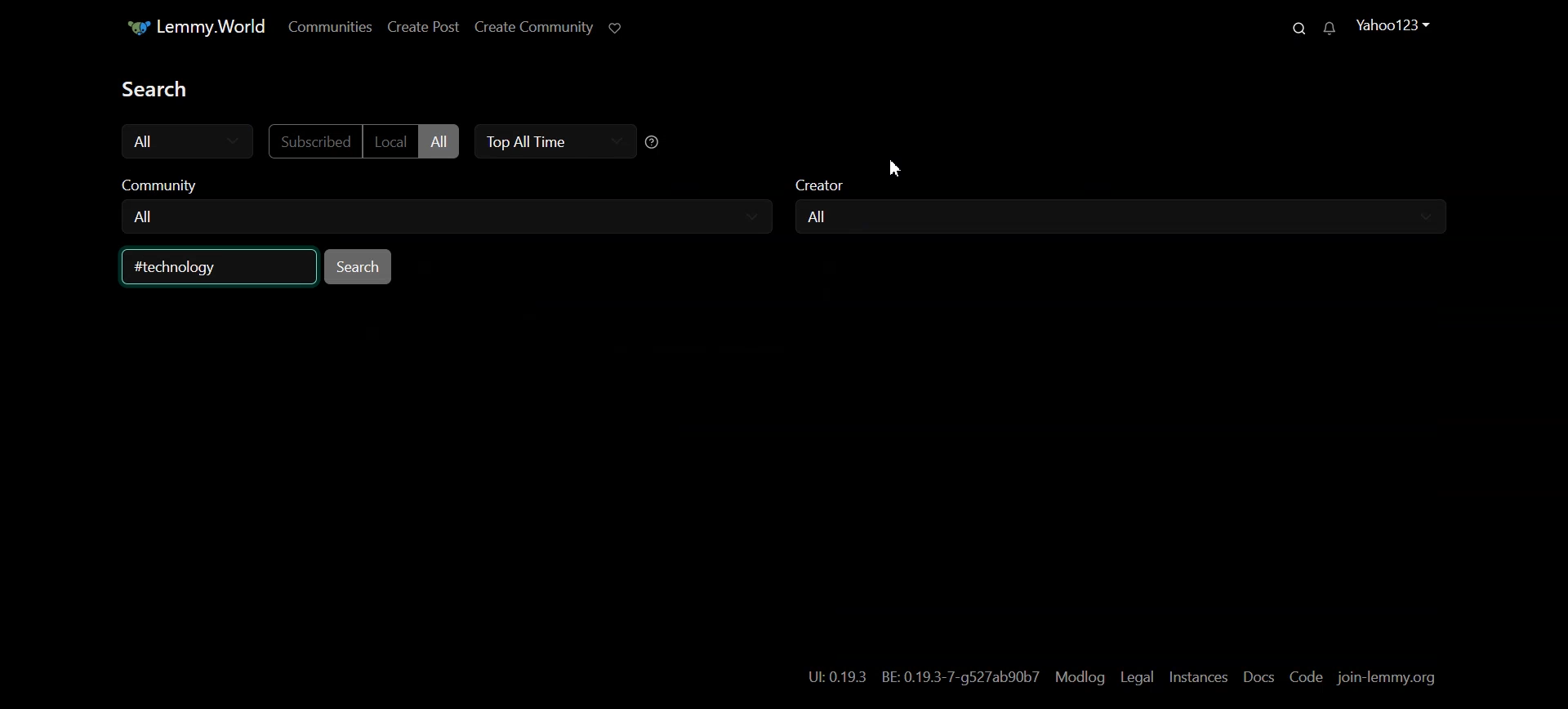  I want to click on Hyperlink, so click(923, 677).